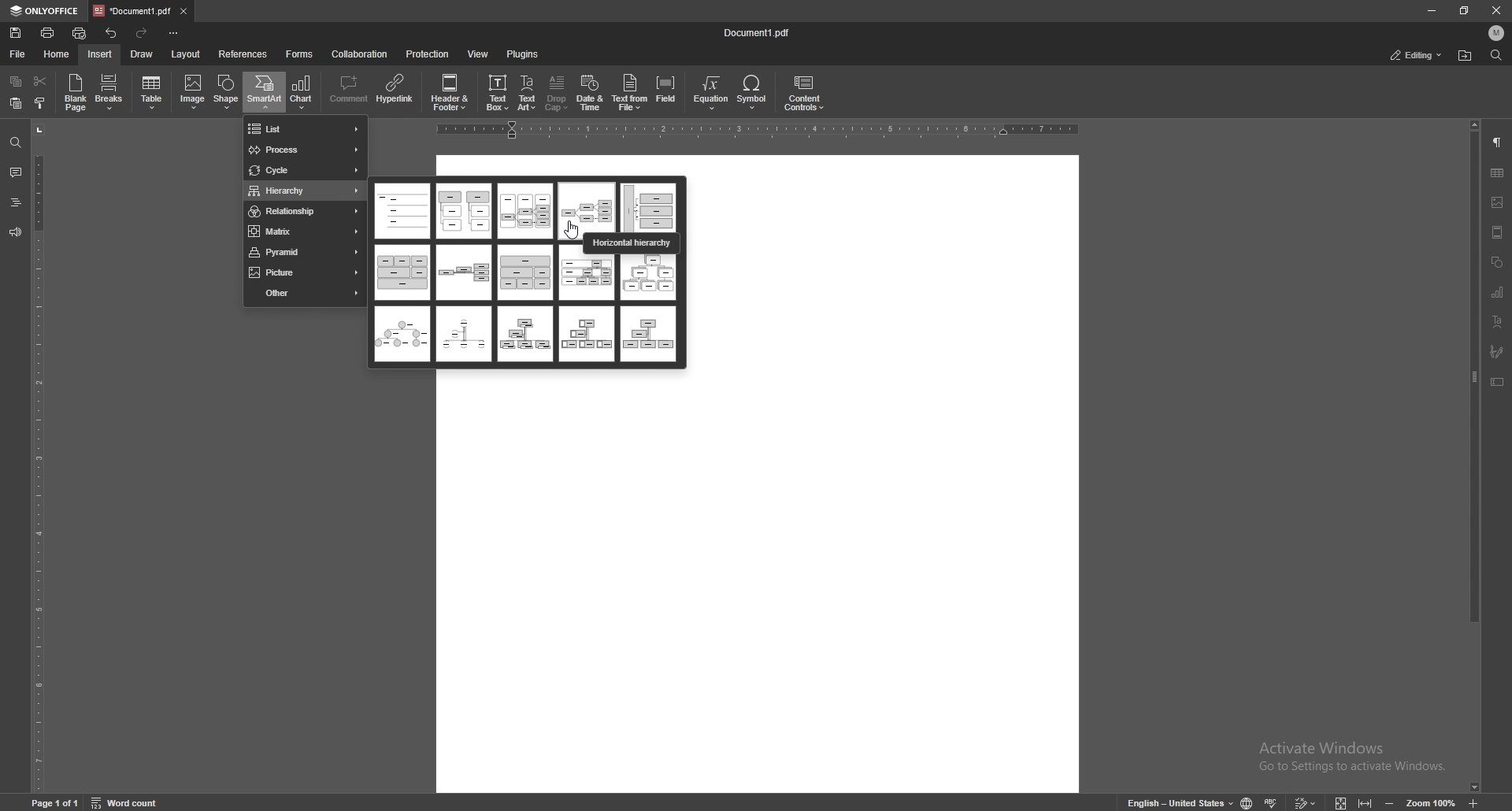  Describe the element at coordinates (76, 92) in the screenshot. I see `blank page` at that location.